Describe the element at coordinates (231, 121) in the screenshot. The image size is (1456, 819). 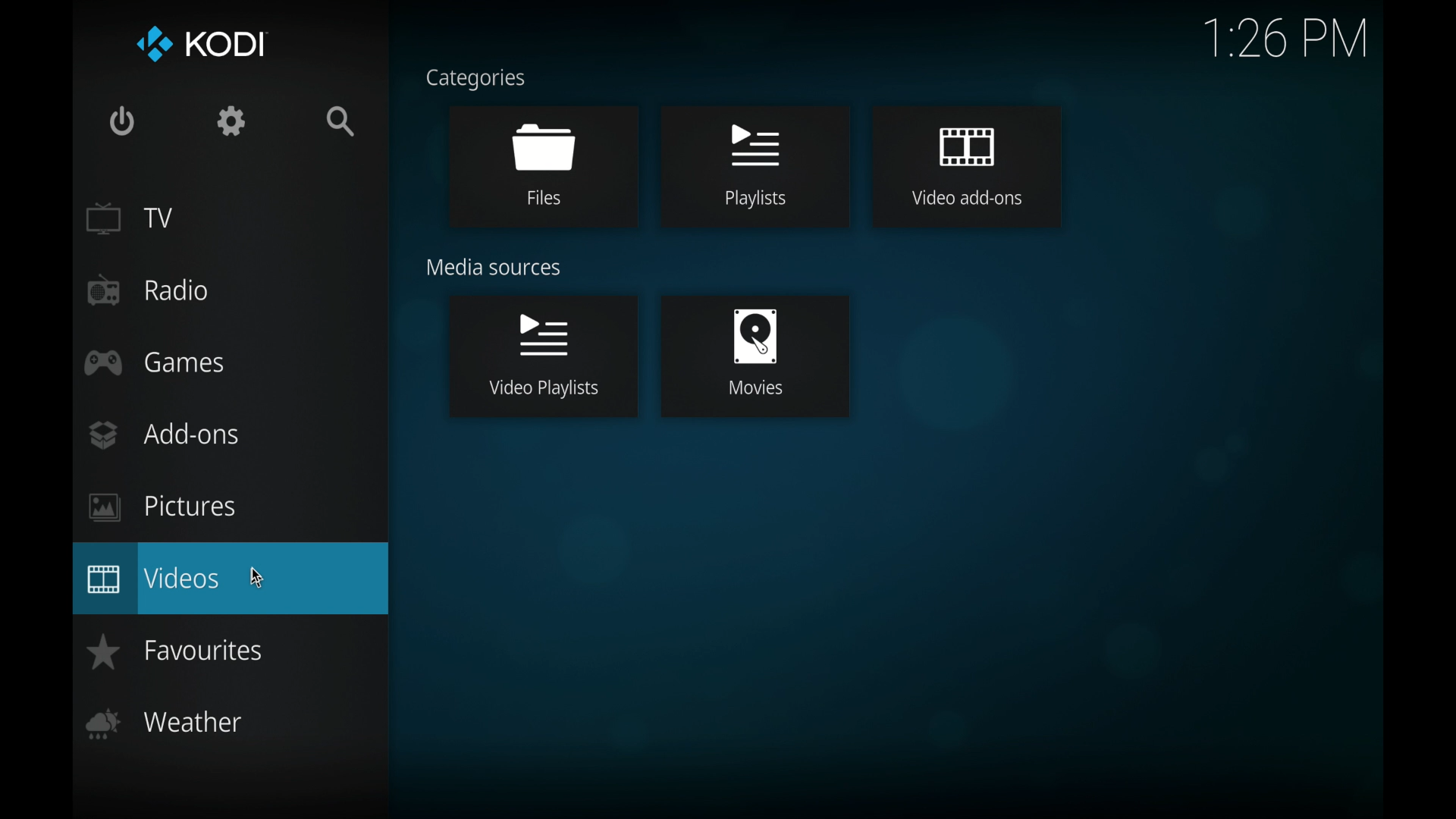
I see `settings` at that location.